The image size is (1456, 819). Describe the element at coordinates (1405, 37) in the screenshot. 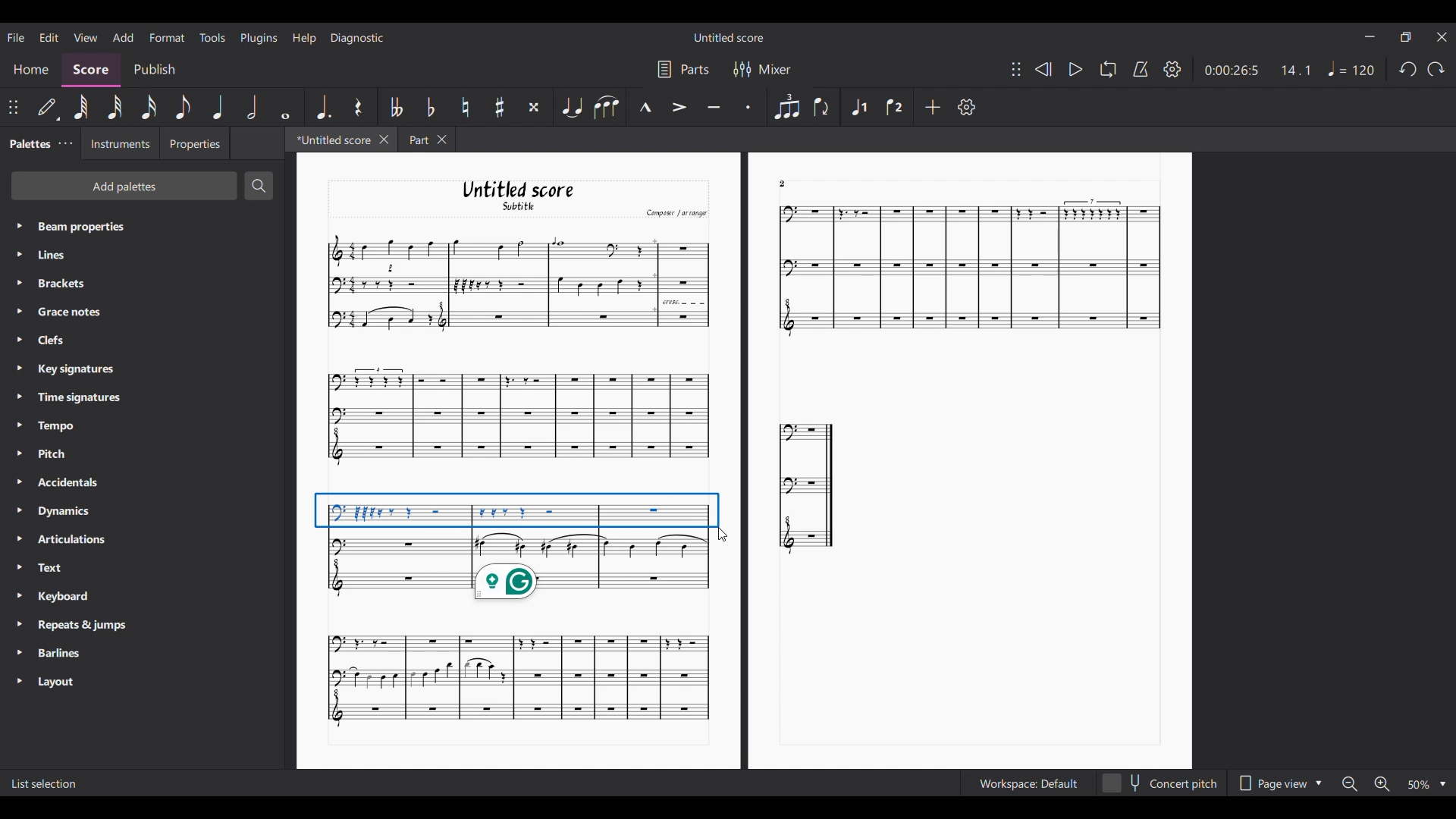

I see `Show in smaller tab` at that location.